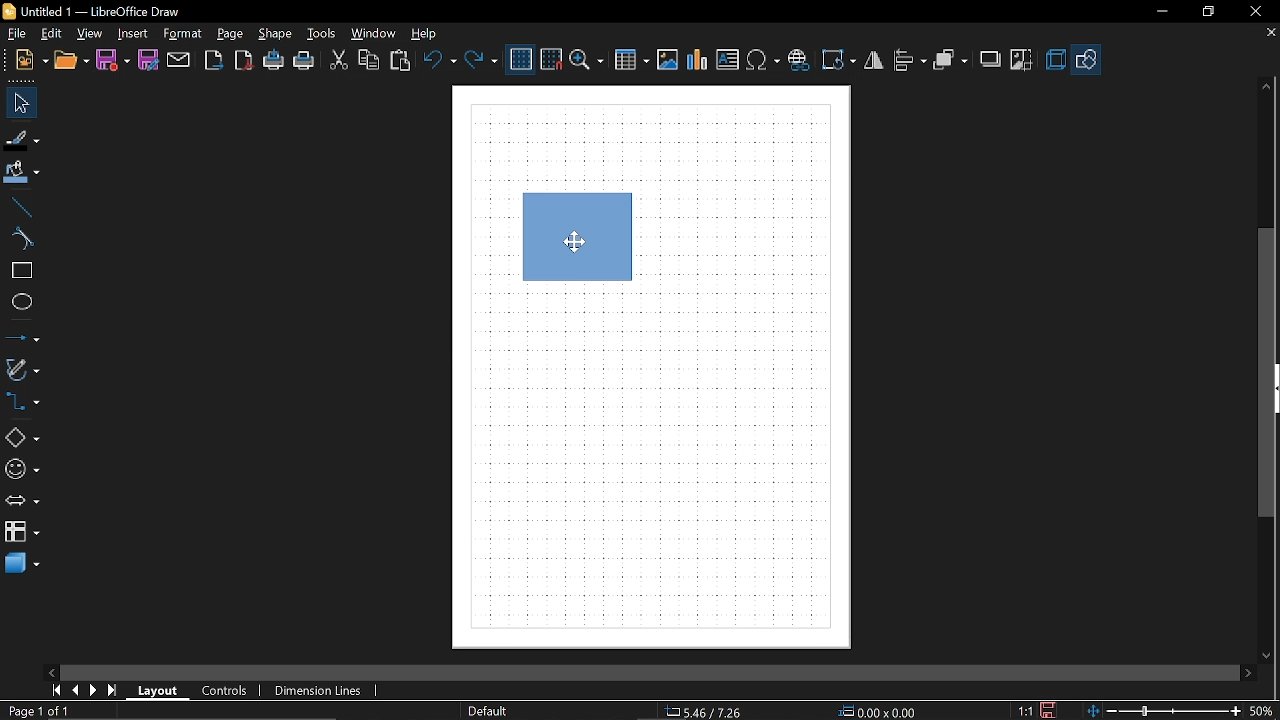 The width and height of the screenshot is (1280, 720). I want to click on Shape, so click(274, 34).